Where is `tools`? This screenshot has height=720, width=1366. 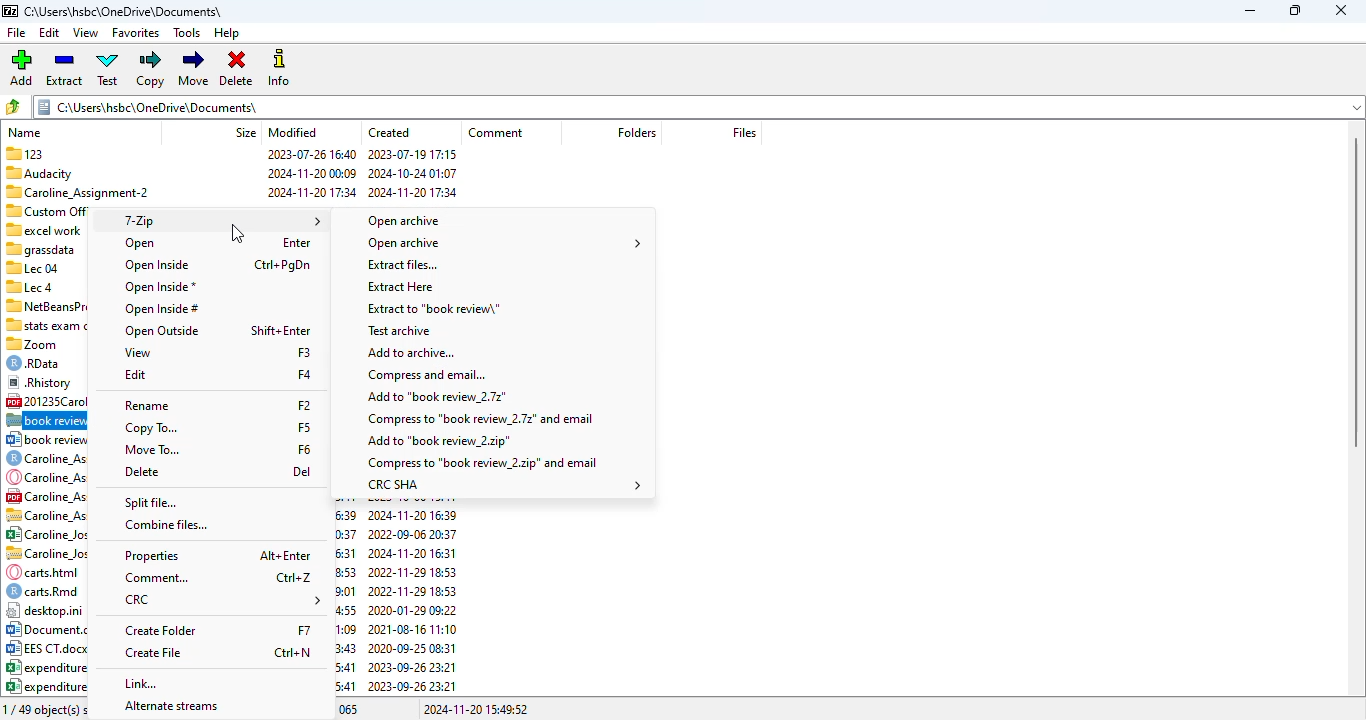 tools is located at coordinates (187, 33).